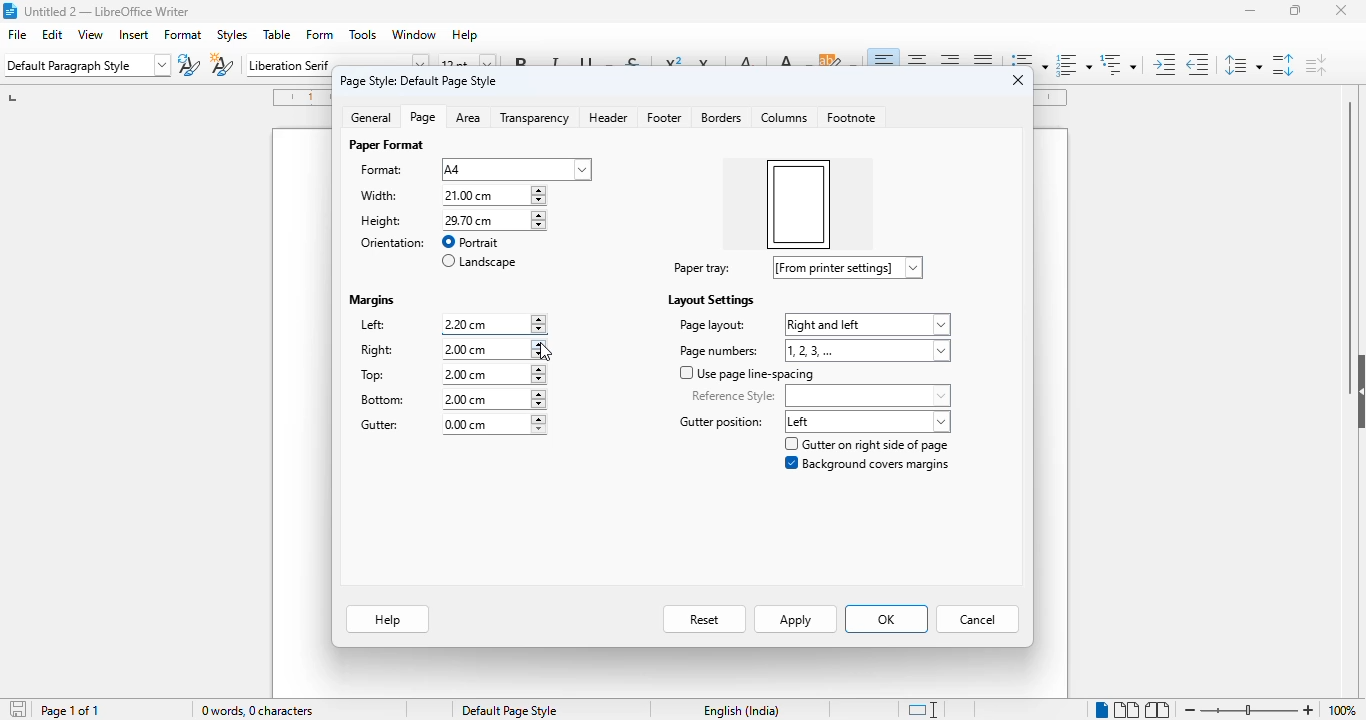 The height and width of the screenshot is (720, 1366). What do you see at coordinates (382, 399) in the screenshot?
I see `bottom: ` at bounding box center [382, 399].